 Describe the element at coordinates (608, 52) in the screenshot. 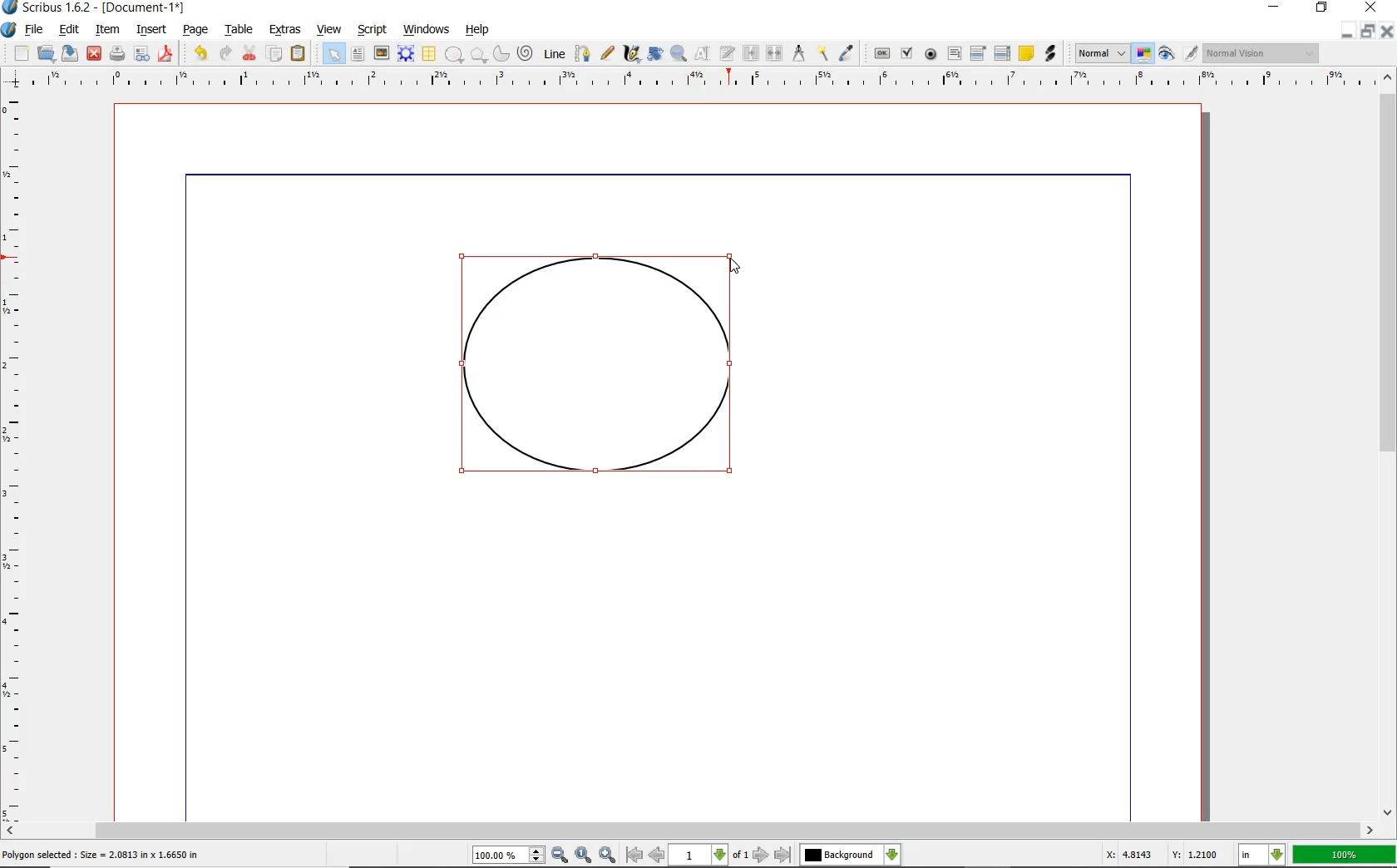

I see `FREEHAND LINE` at that location.